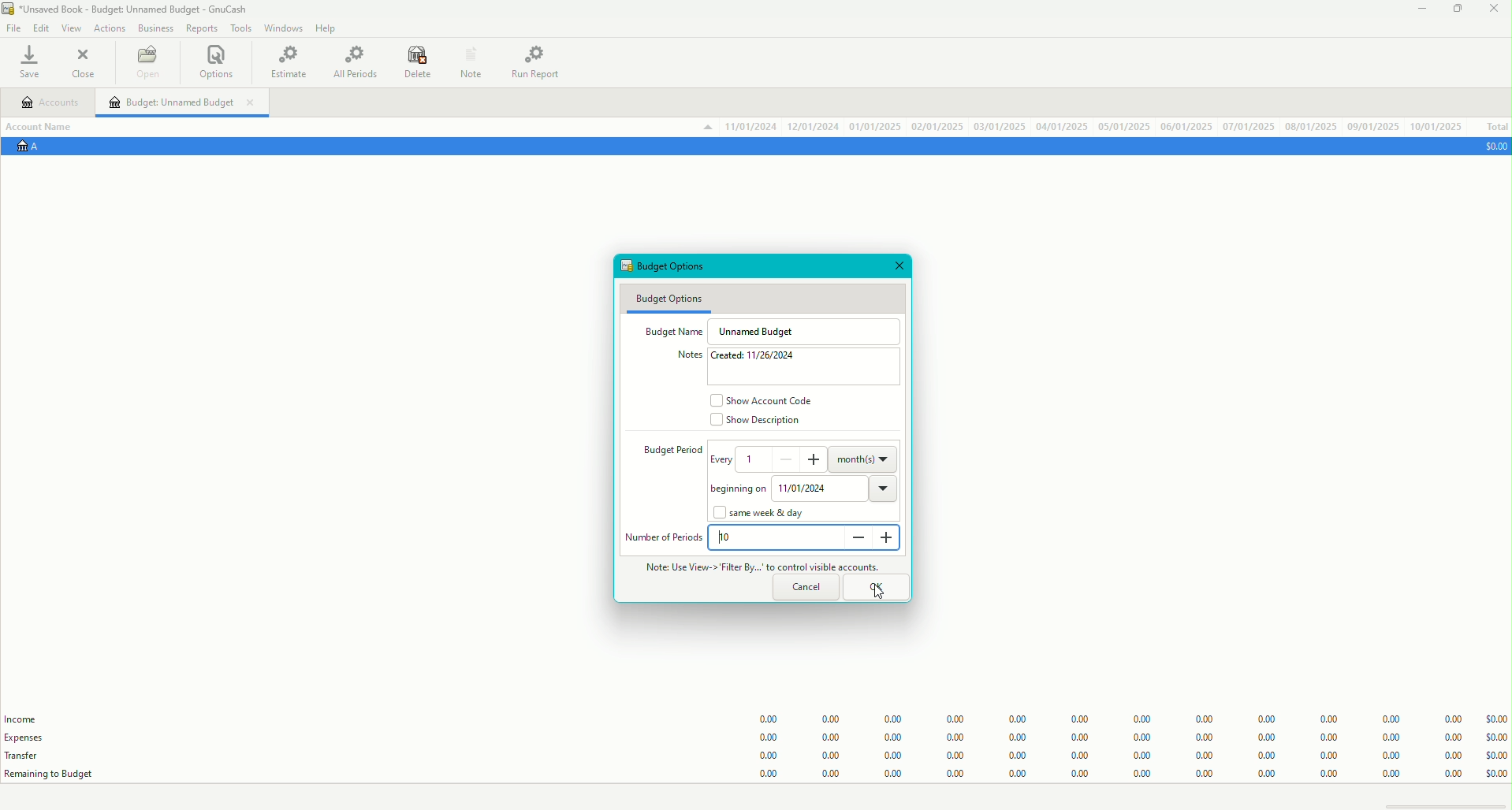  What do you see at coordinates (756, 566) in the screenshot?
I see `Note - Use View - Filter by to control visible accounts` at bounding box center [756, 566].